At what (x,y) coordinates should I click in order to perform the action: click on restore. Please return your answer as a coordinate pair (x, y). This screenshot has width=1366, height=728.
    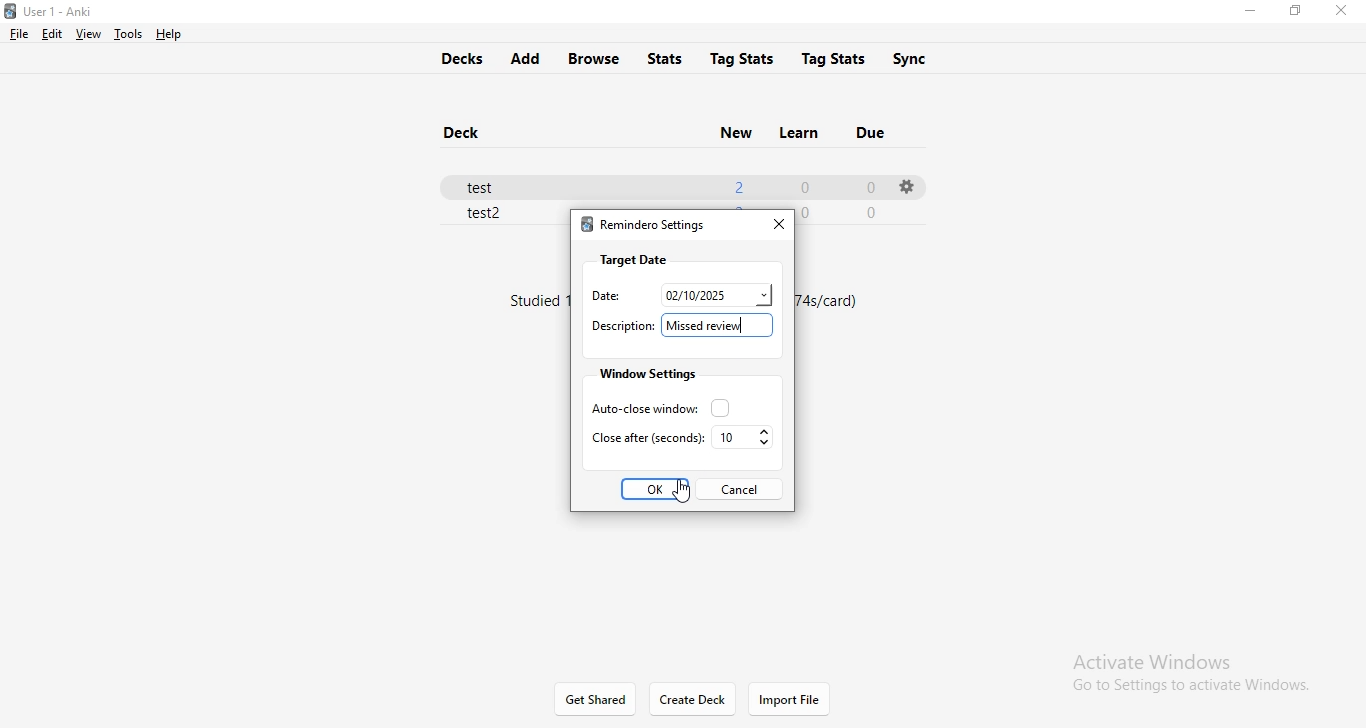
    Looking at the image, I should click on (1294, 11).